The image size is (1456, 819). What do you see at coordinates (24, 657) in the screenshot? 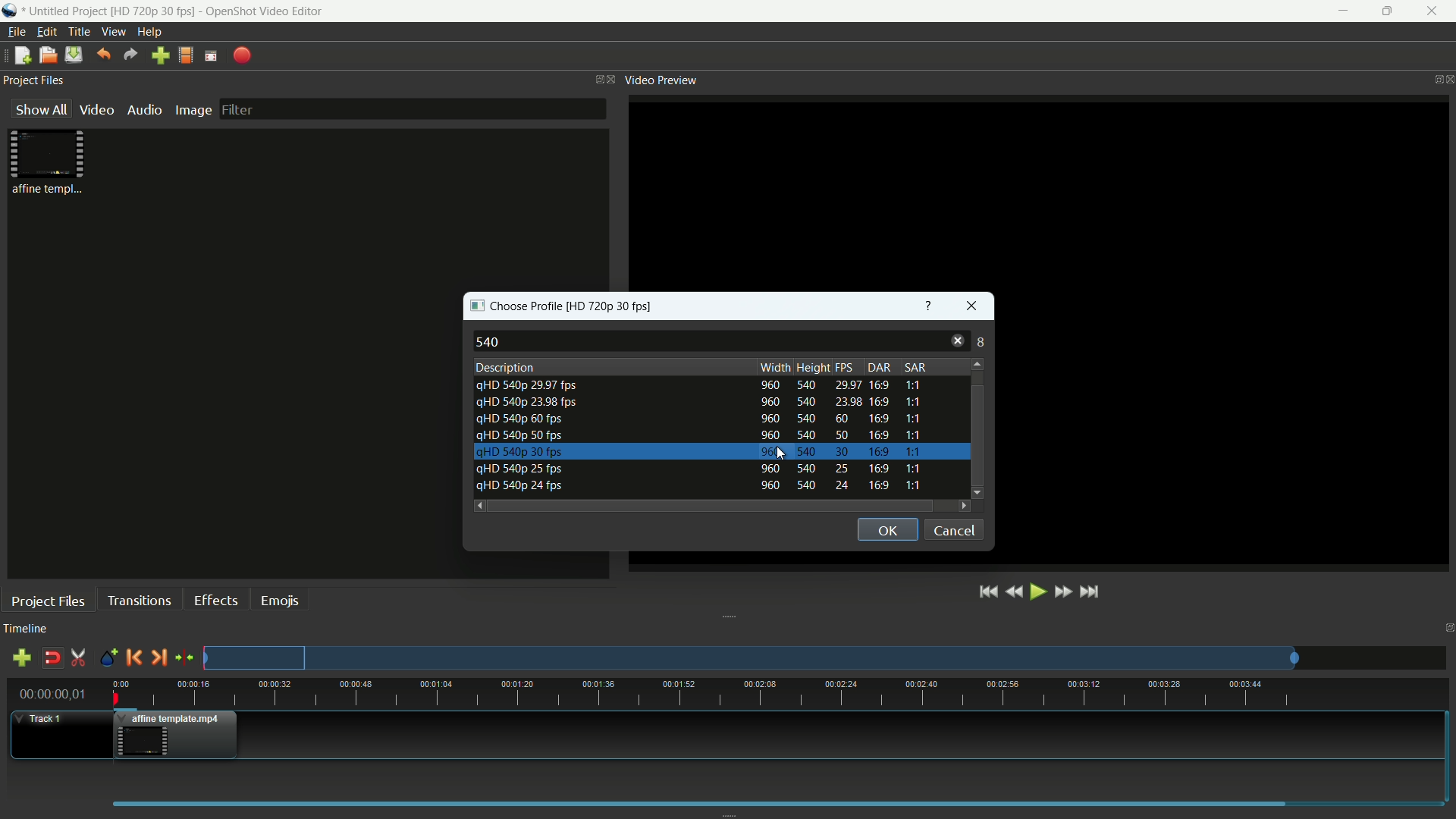
I see `add track` at bounding box center [24, 657].